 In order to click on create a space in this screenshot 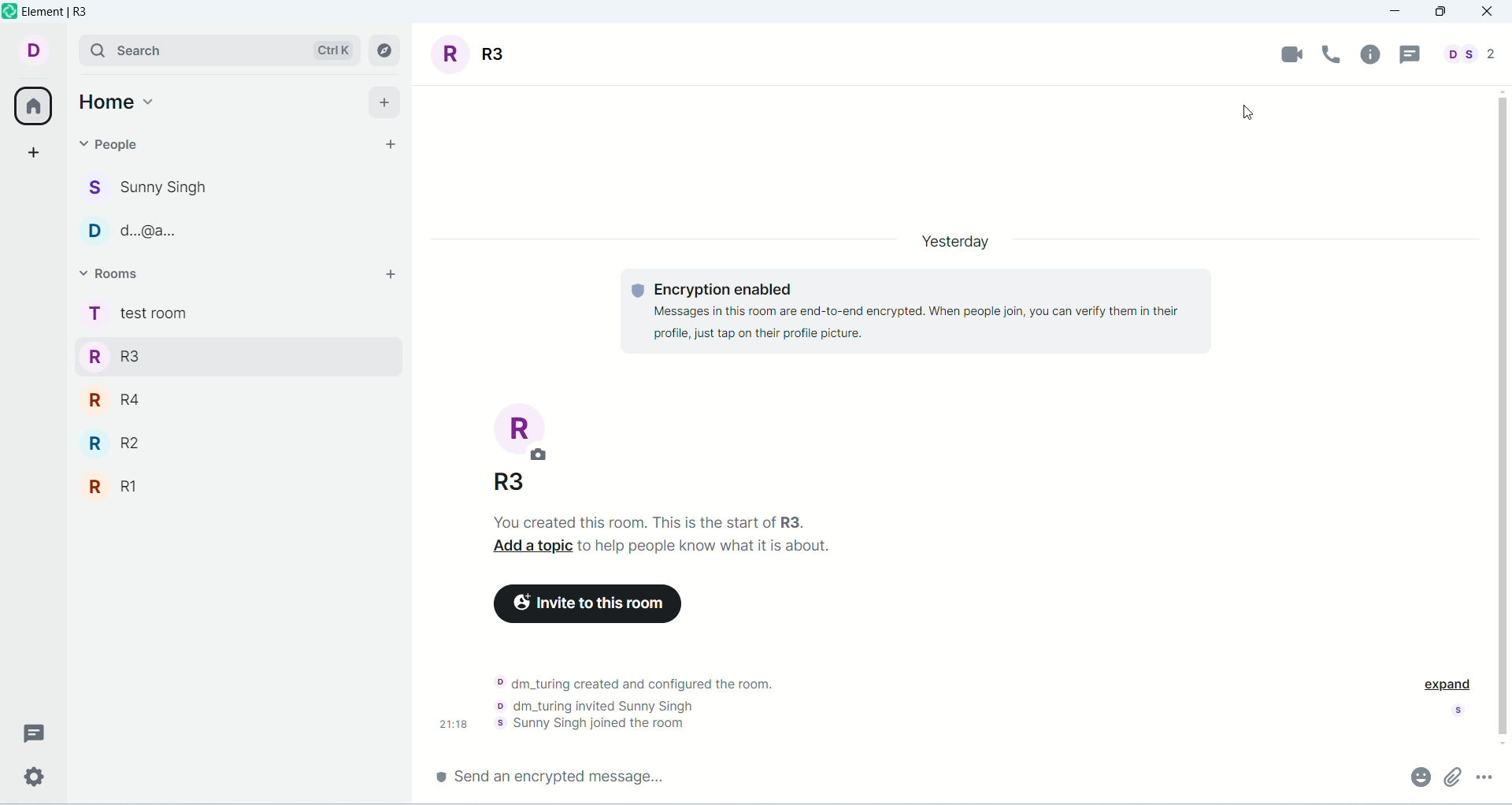, I will do `click(34, 152)`.